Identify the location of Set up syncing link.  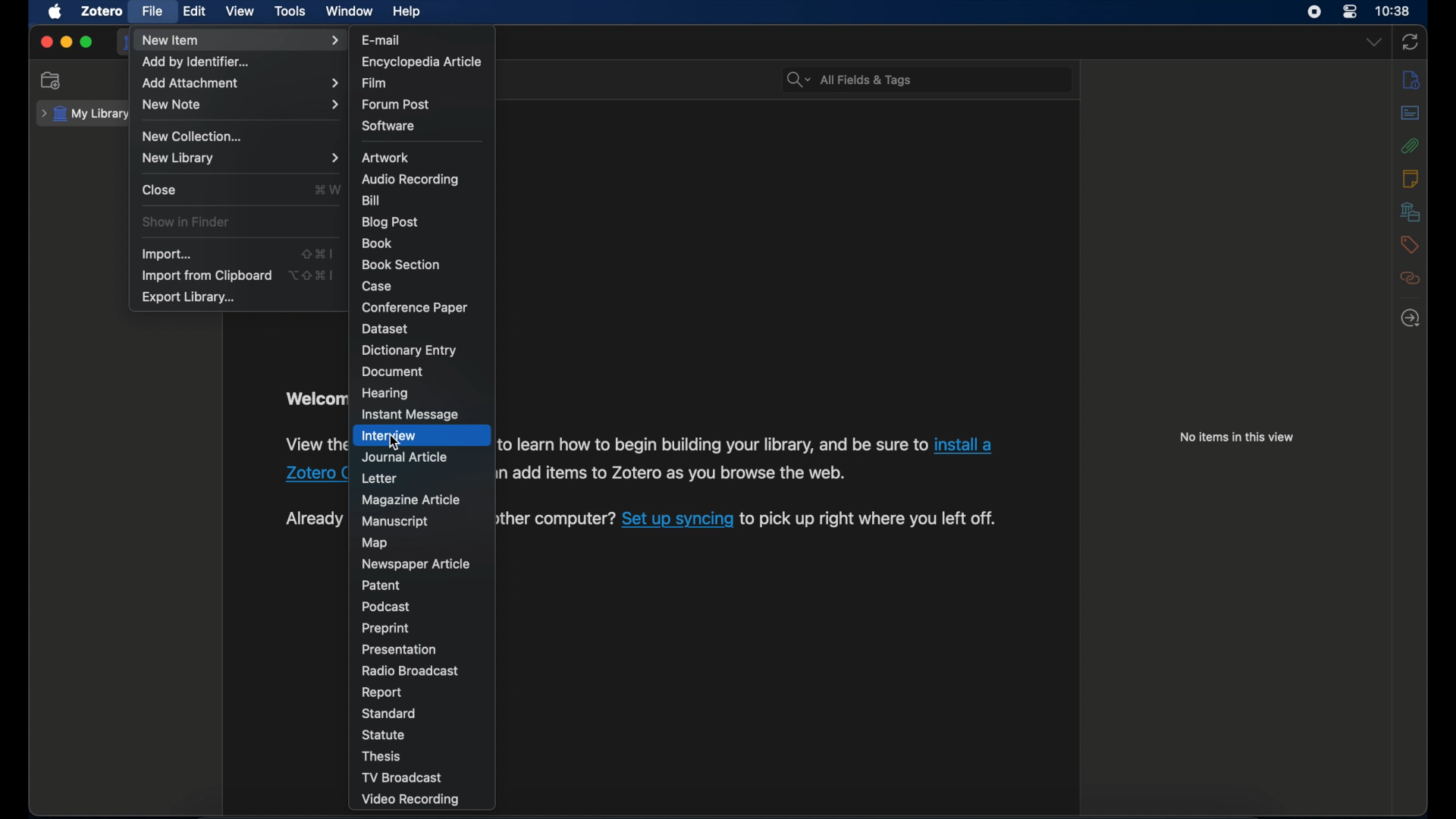
(677, 520).